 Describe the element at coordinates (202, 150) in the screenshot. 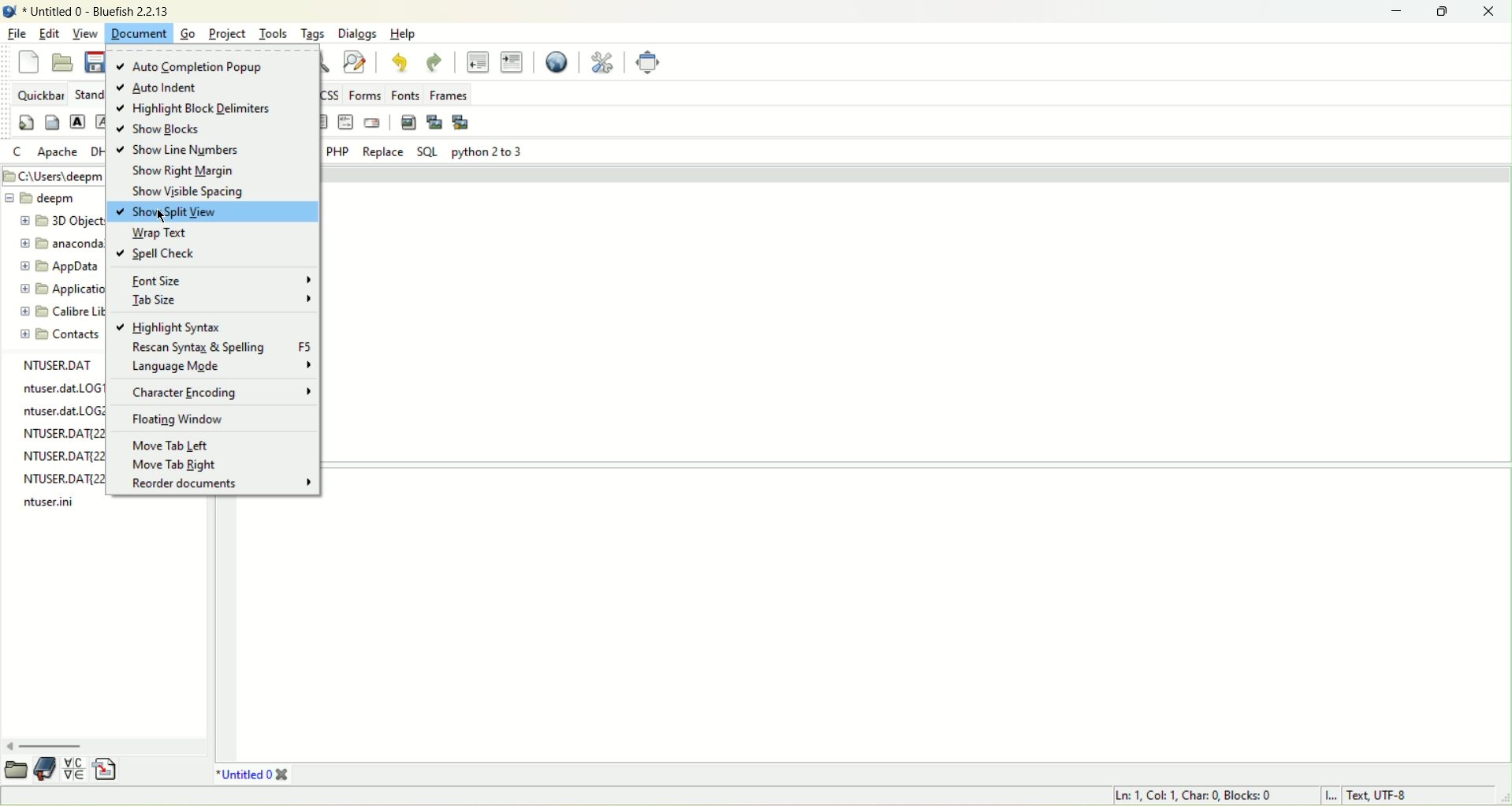

I see `show line numbers` at that location.